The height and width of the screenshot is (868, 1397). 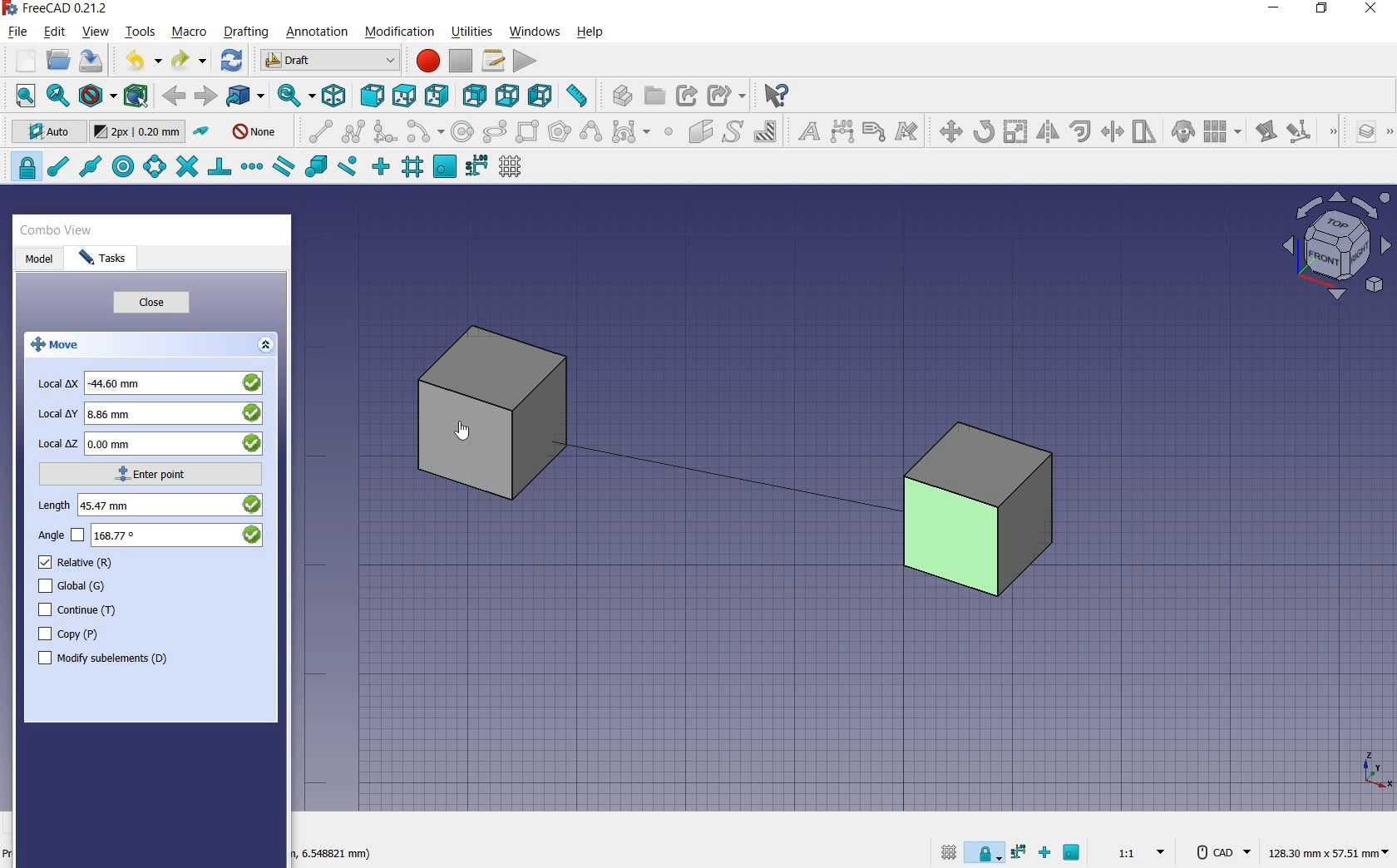 What do you see at coordinates (57, 232) in the screenshot?
I see `combo view` at bounding box center [57, 232].